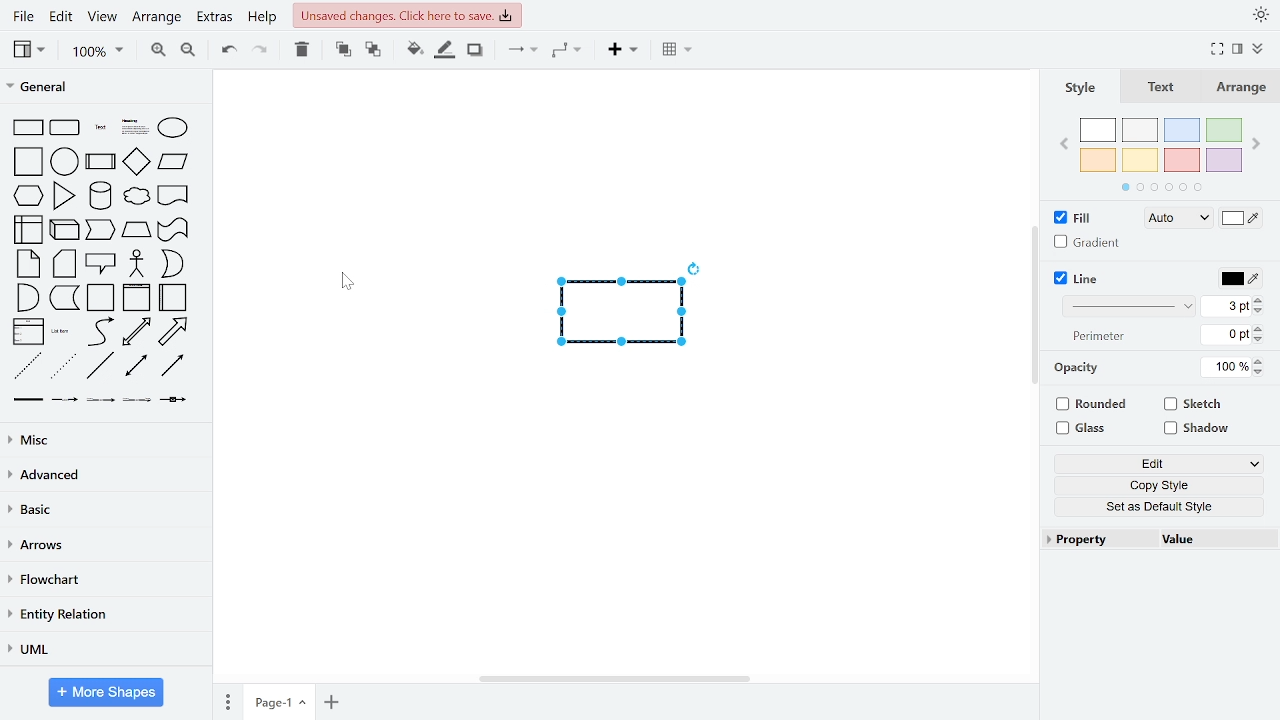 This screenshot has height=720, width=1280. Describe the element at coordinates (26, 195) in the screenshot. I see `general shapesgeneral shapes` at that location.